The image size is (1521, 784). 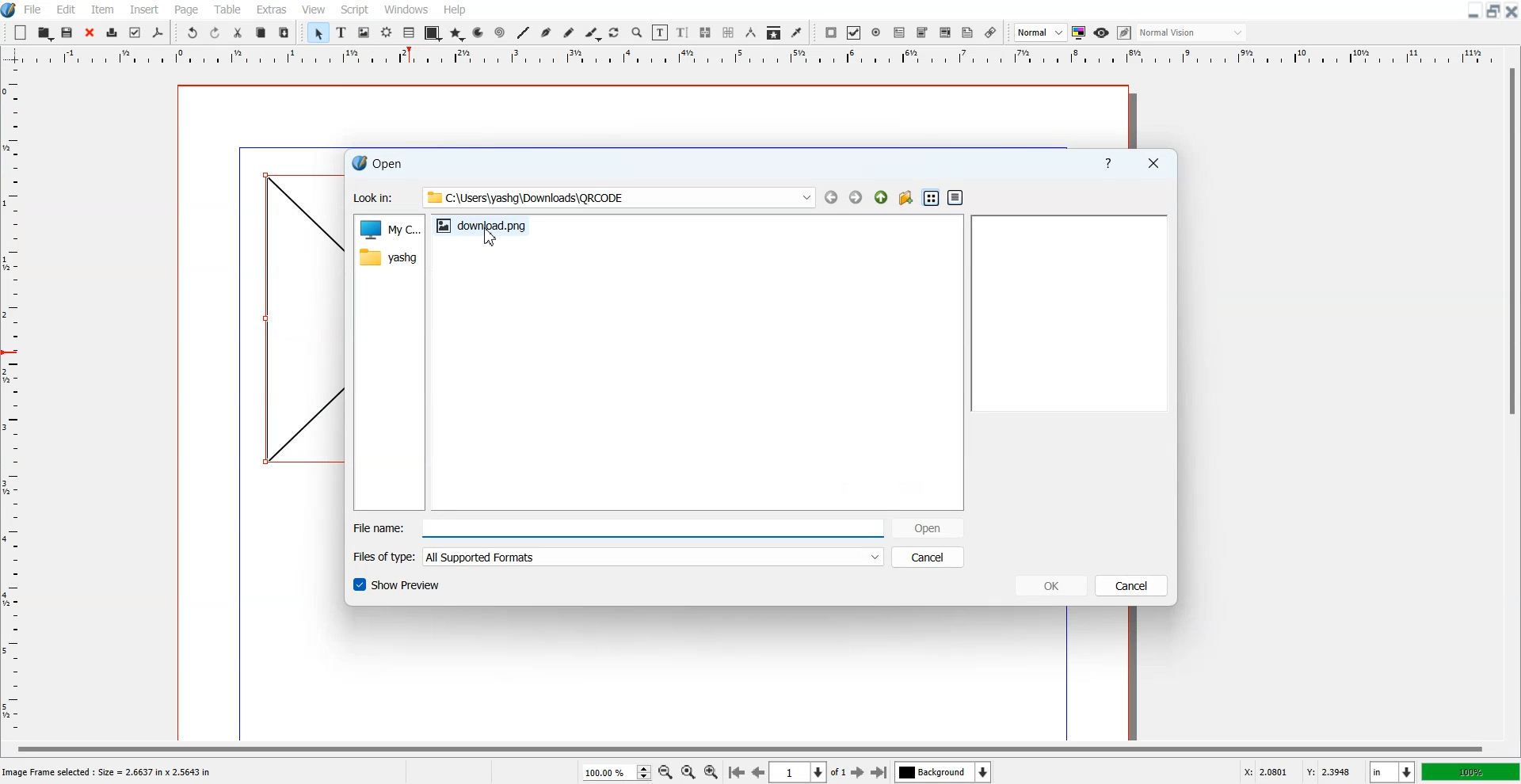 I want to click on Select current page 1, so click(x=810, y=772).